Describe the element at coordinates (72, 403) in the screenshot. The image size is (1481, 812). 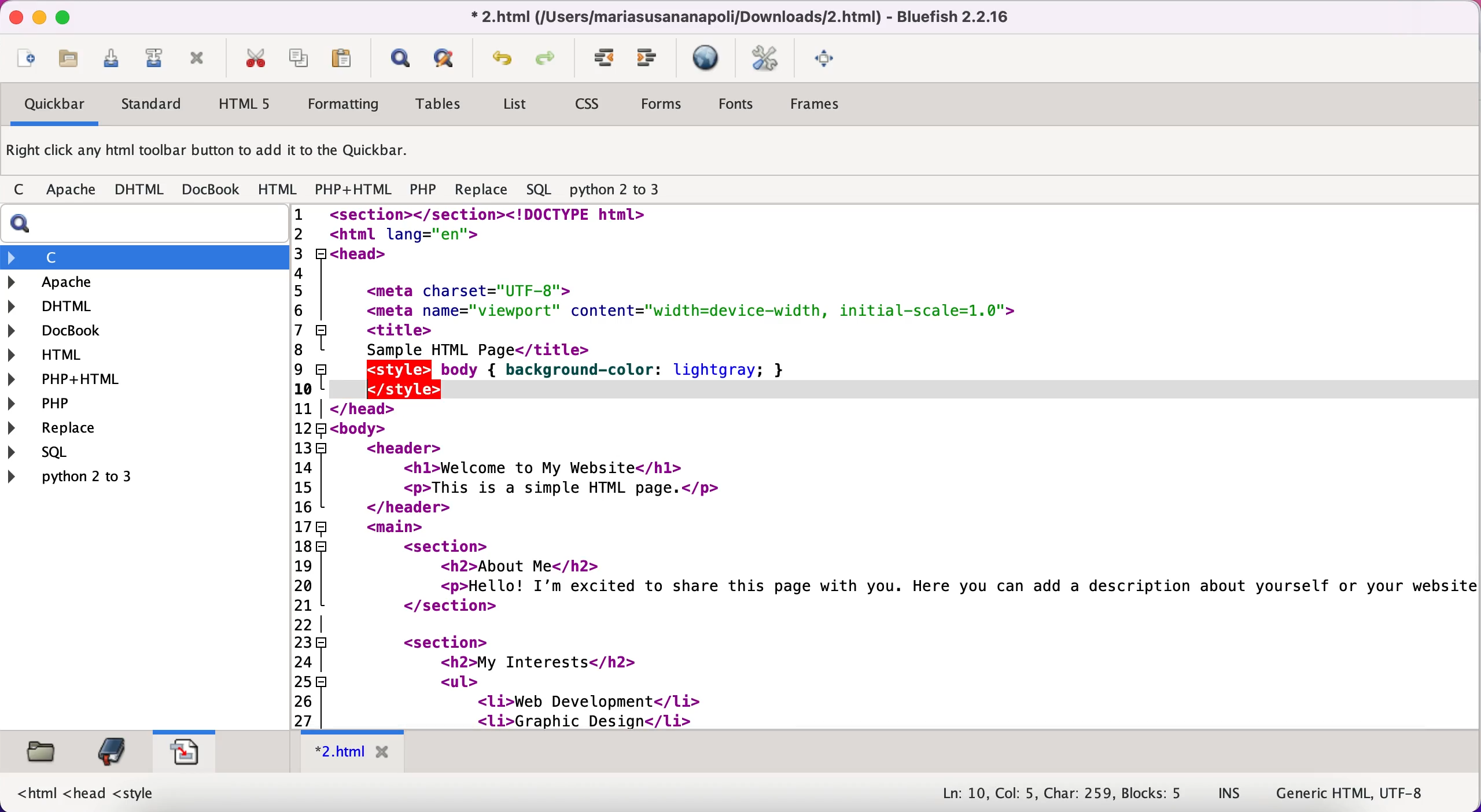
I see `php` at that location.